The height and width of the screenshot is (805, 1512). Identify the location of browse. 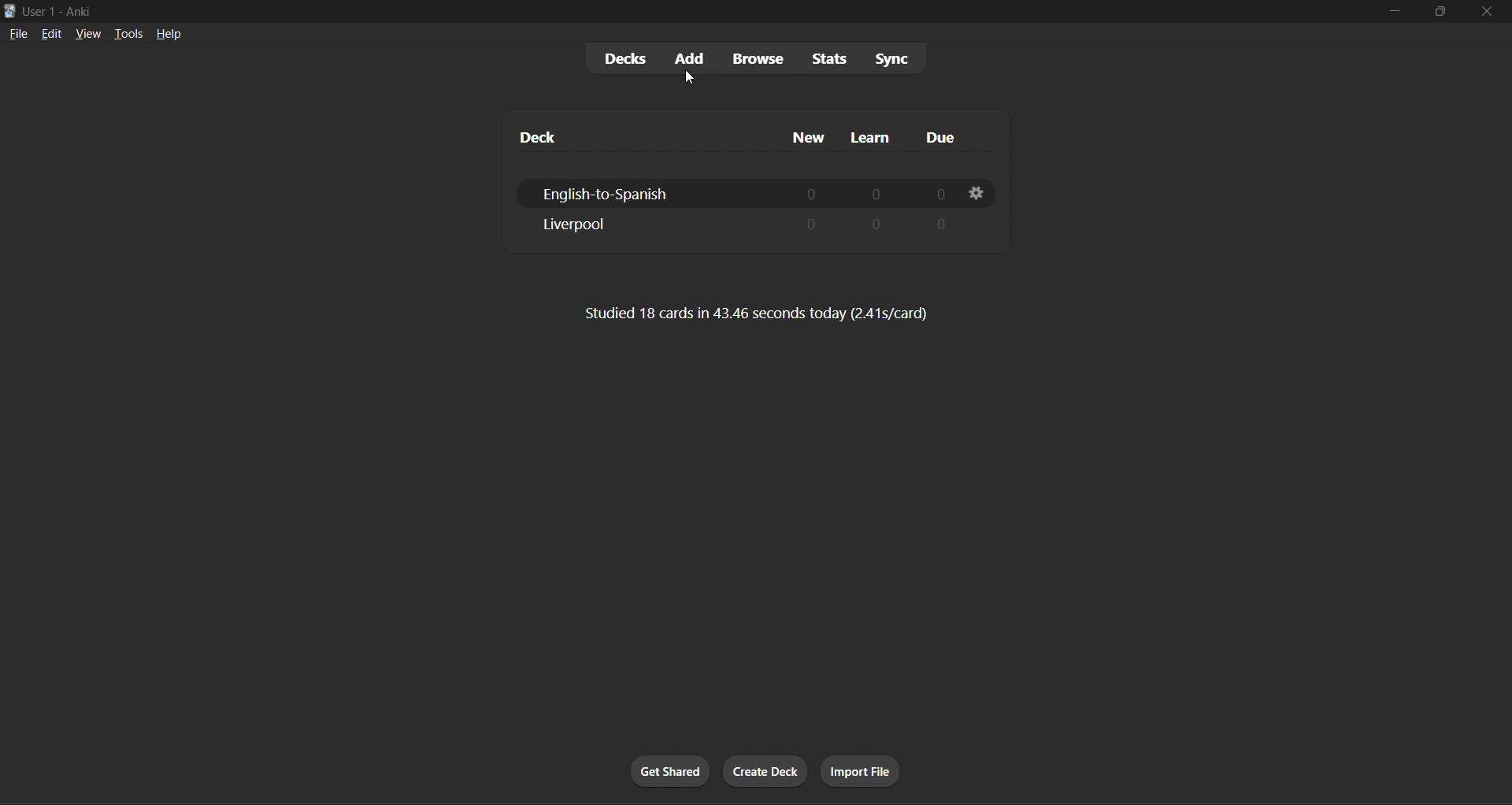
(756, 57).